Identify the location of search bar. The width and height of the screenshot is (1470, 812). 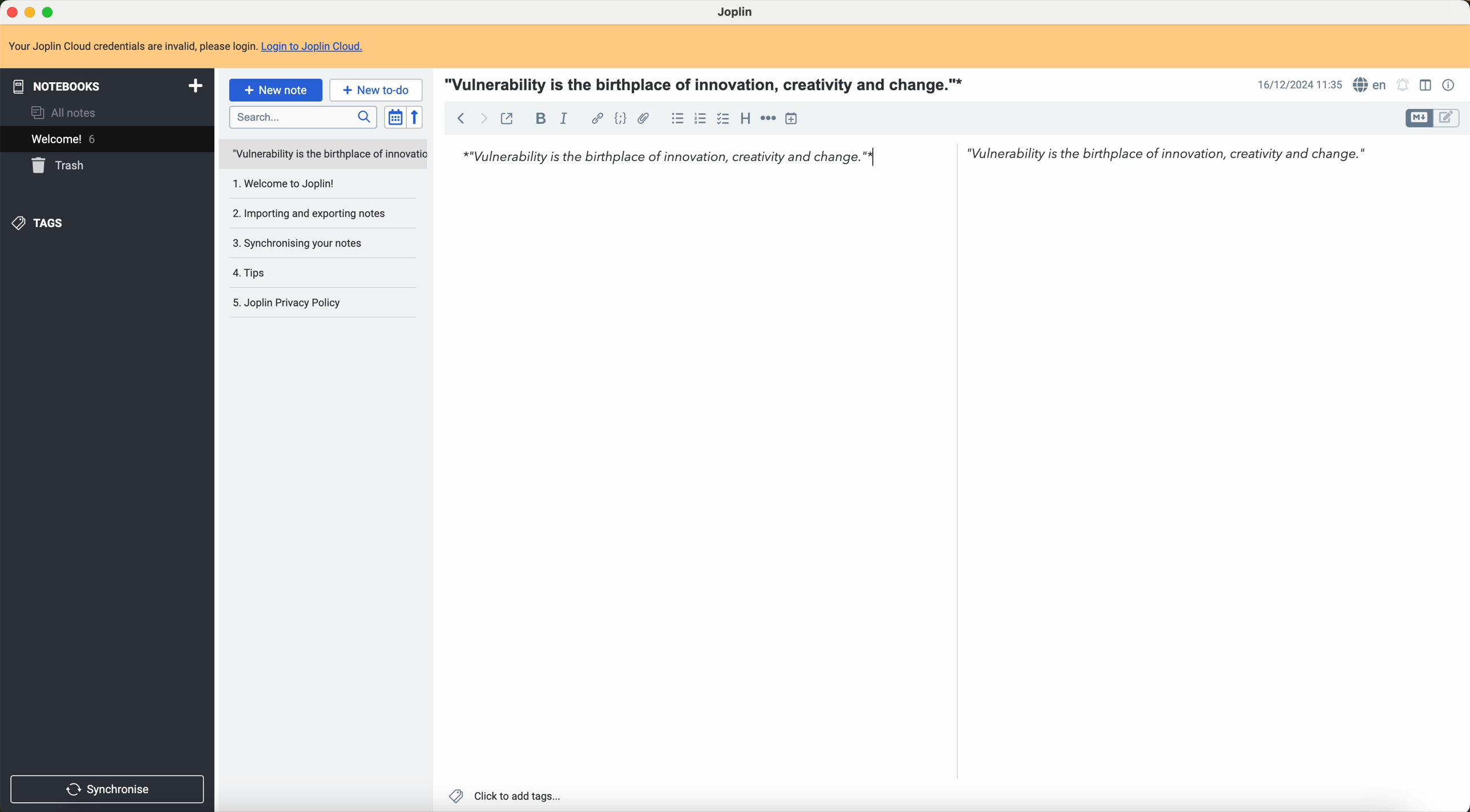
(300, 116).